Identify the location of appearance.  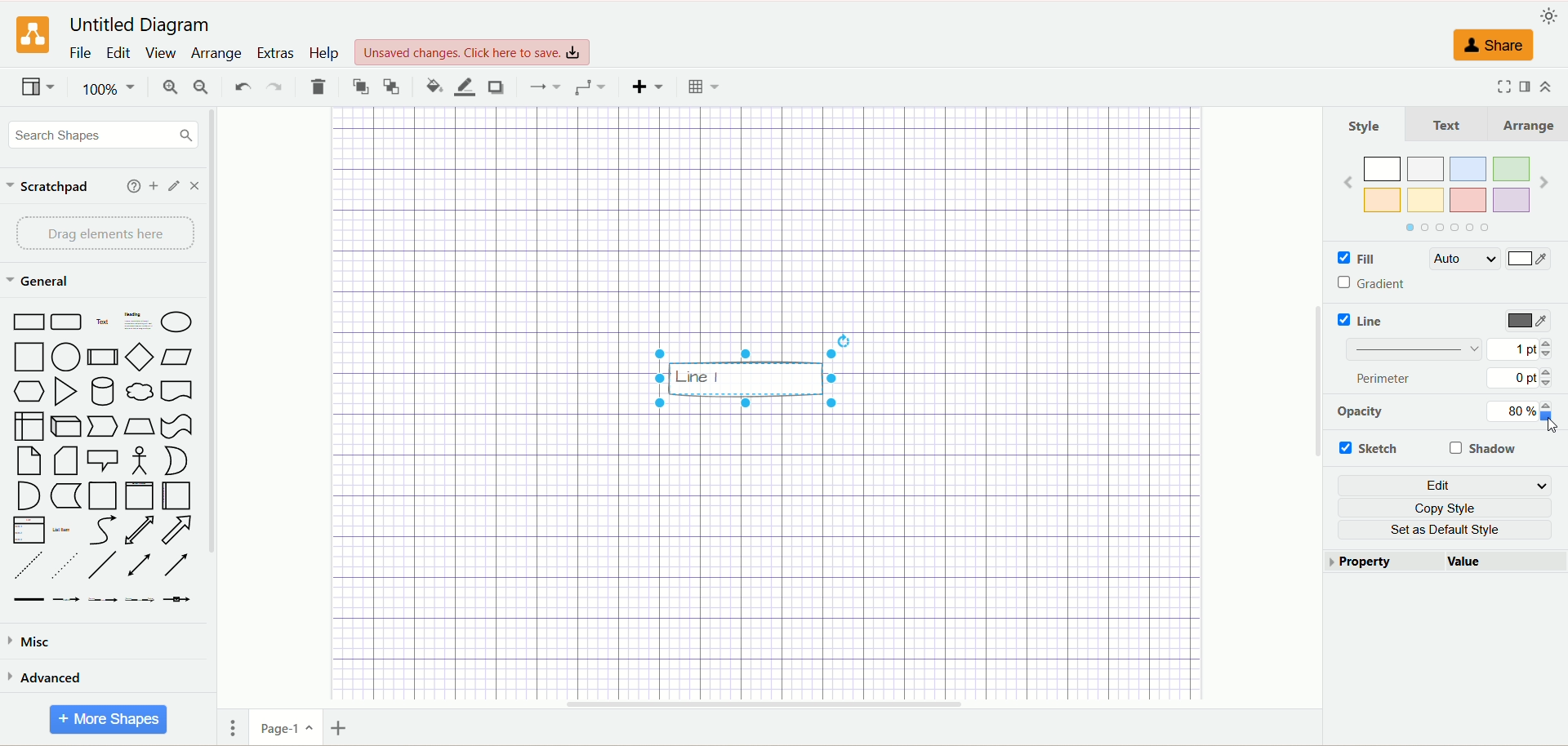
(1548, 16).